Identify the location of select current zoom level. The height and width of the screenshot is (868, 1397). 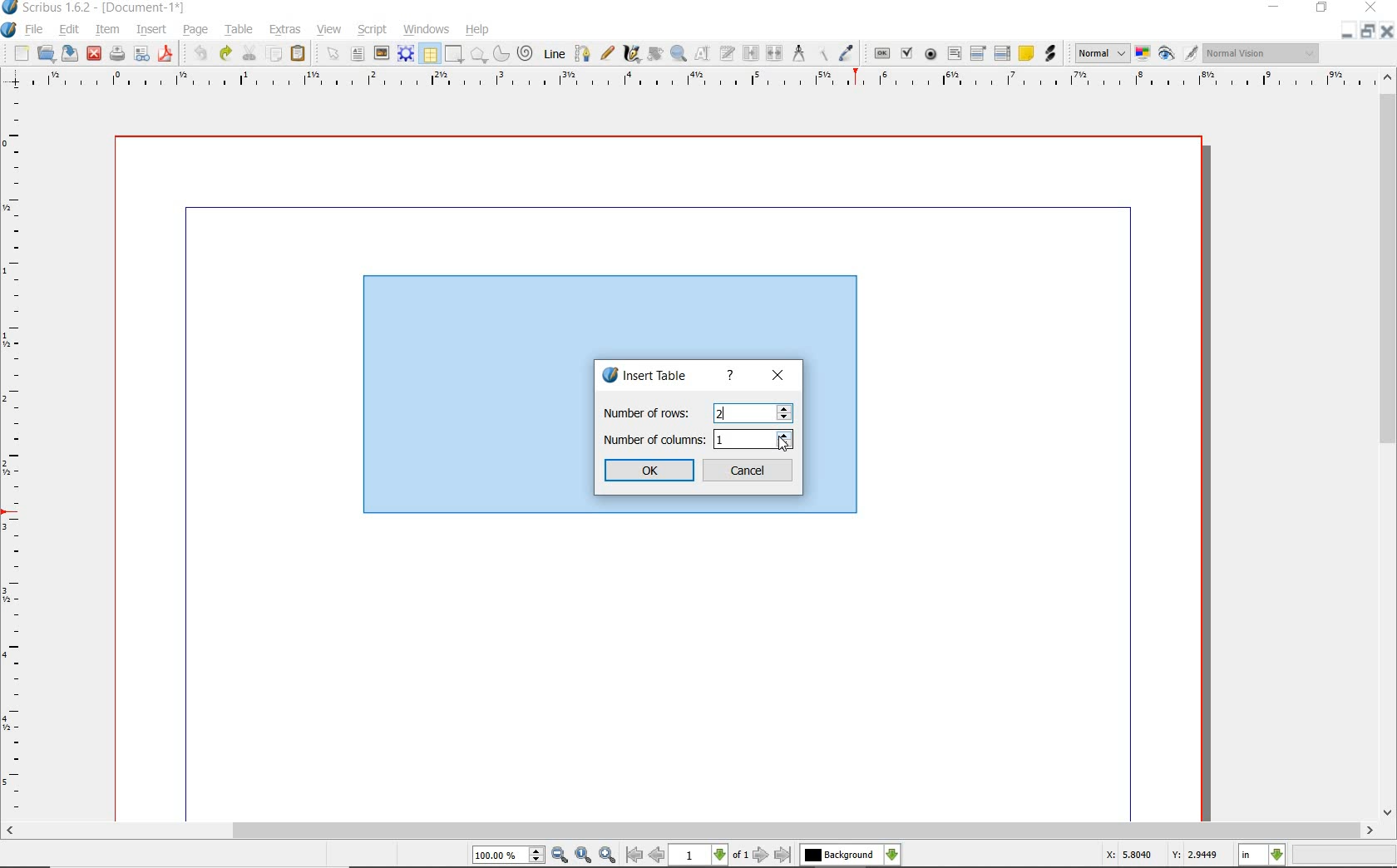
(508, 856).